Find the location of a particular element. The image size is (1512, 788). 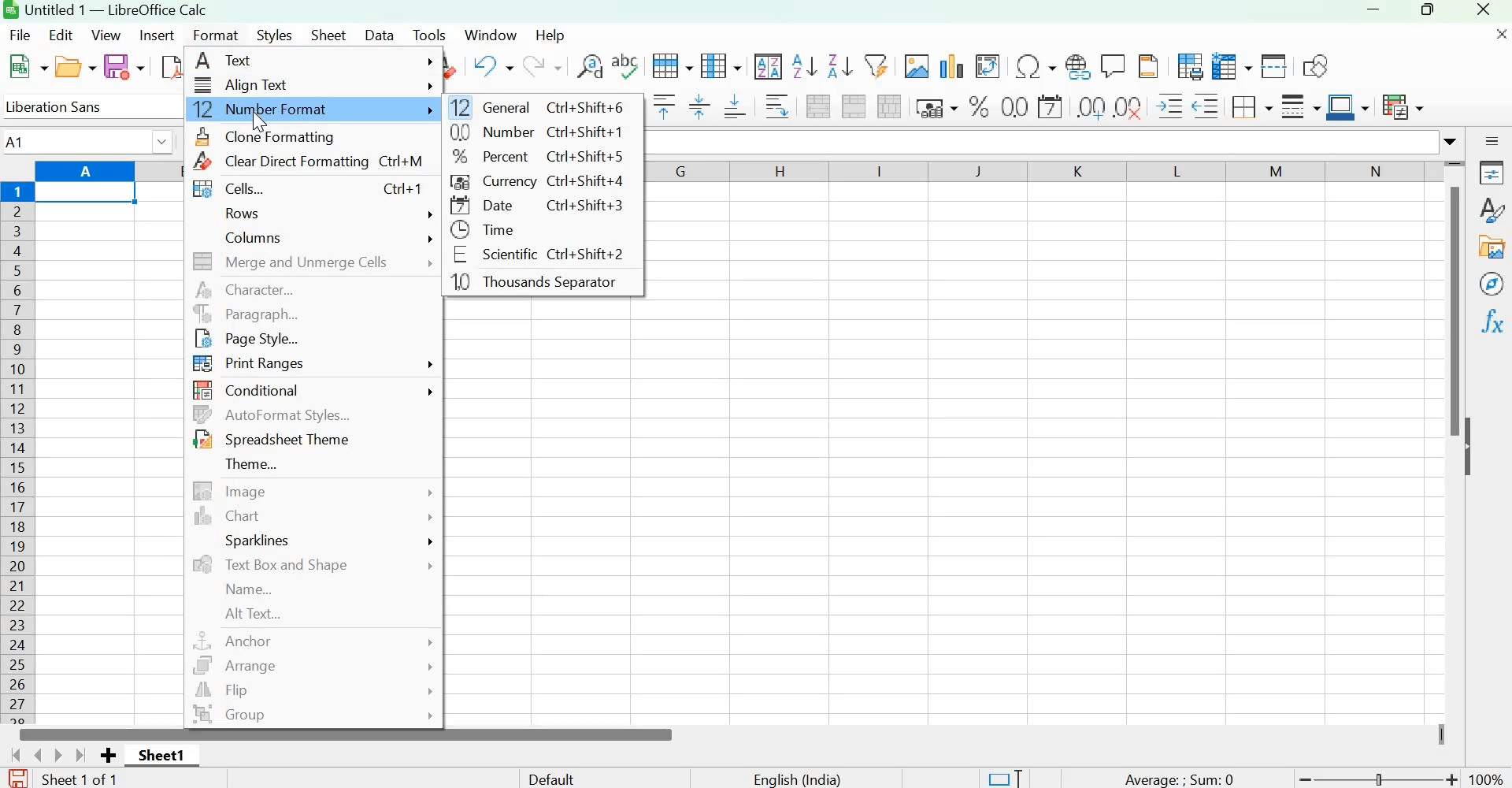

Scientific is located at coordinates (535, 256).